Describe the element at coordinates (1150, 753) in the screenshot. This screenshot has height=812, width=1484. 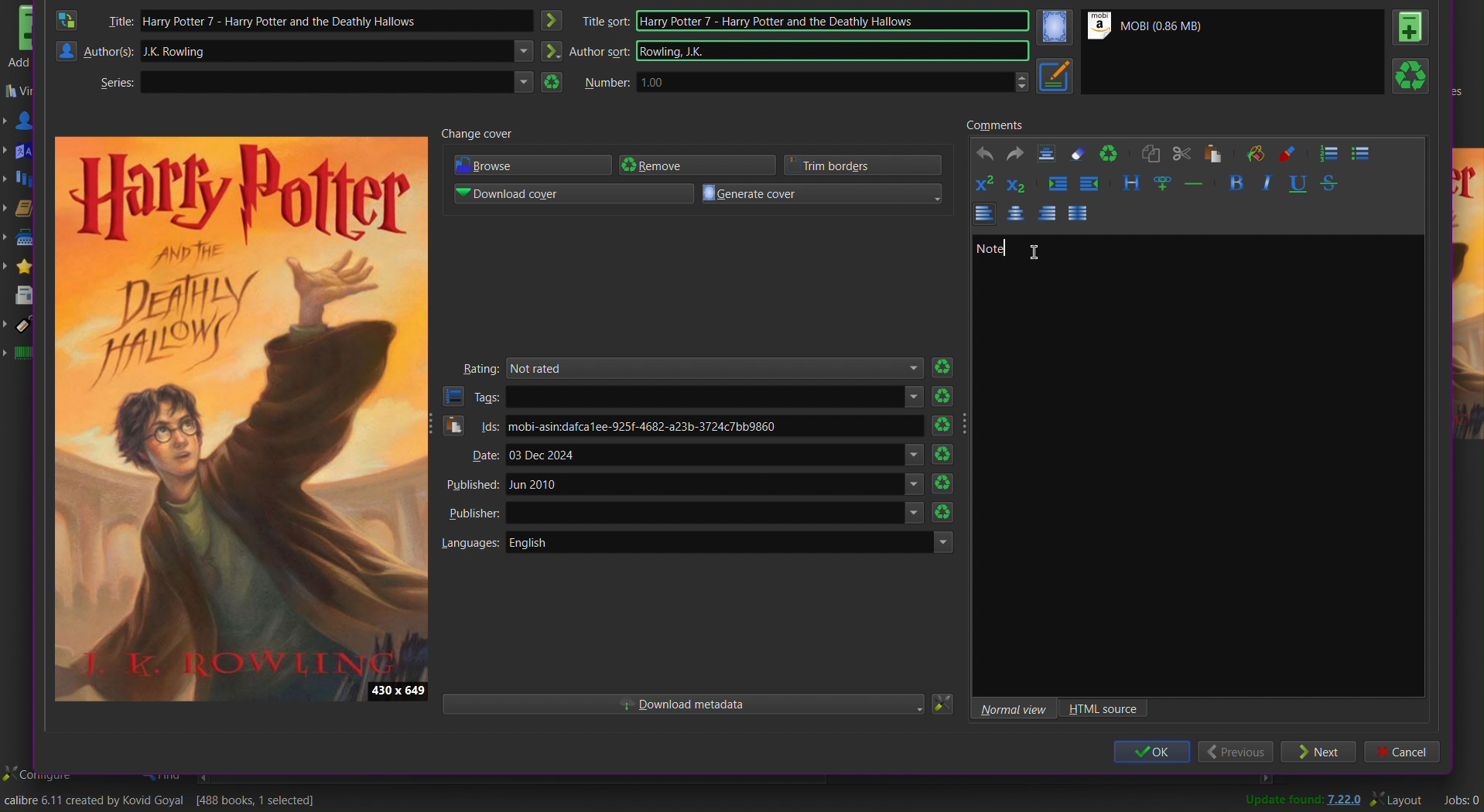
I see `OK` at that location.